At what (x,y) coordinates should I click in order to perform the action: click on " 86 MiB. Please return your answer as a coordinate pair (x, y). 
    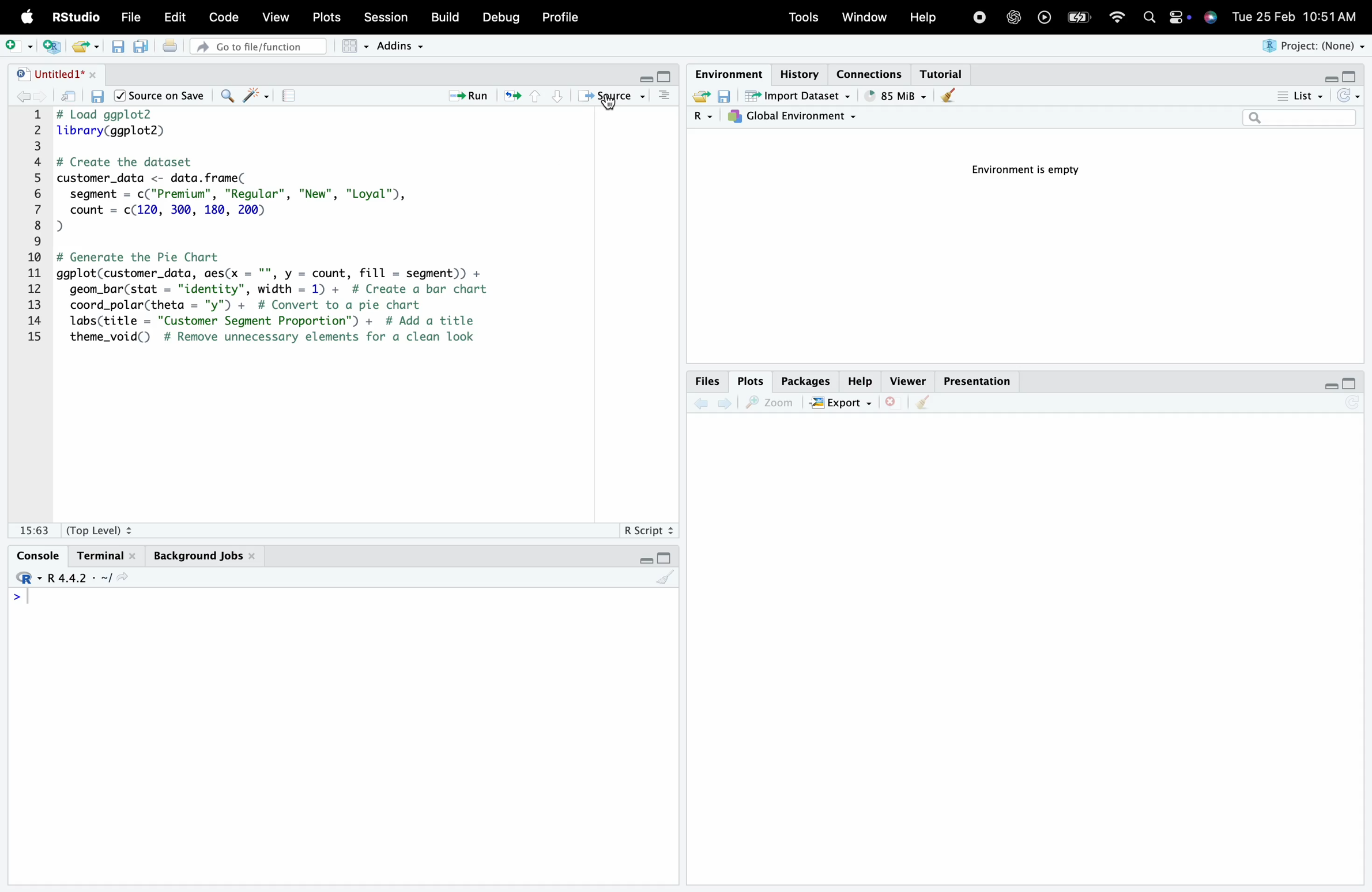
    Looking at the image, I should click on (895, 96).